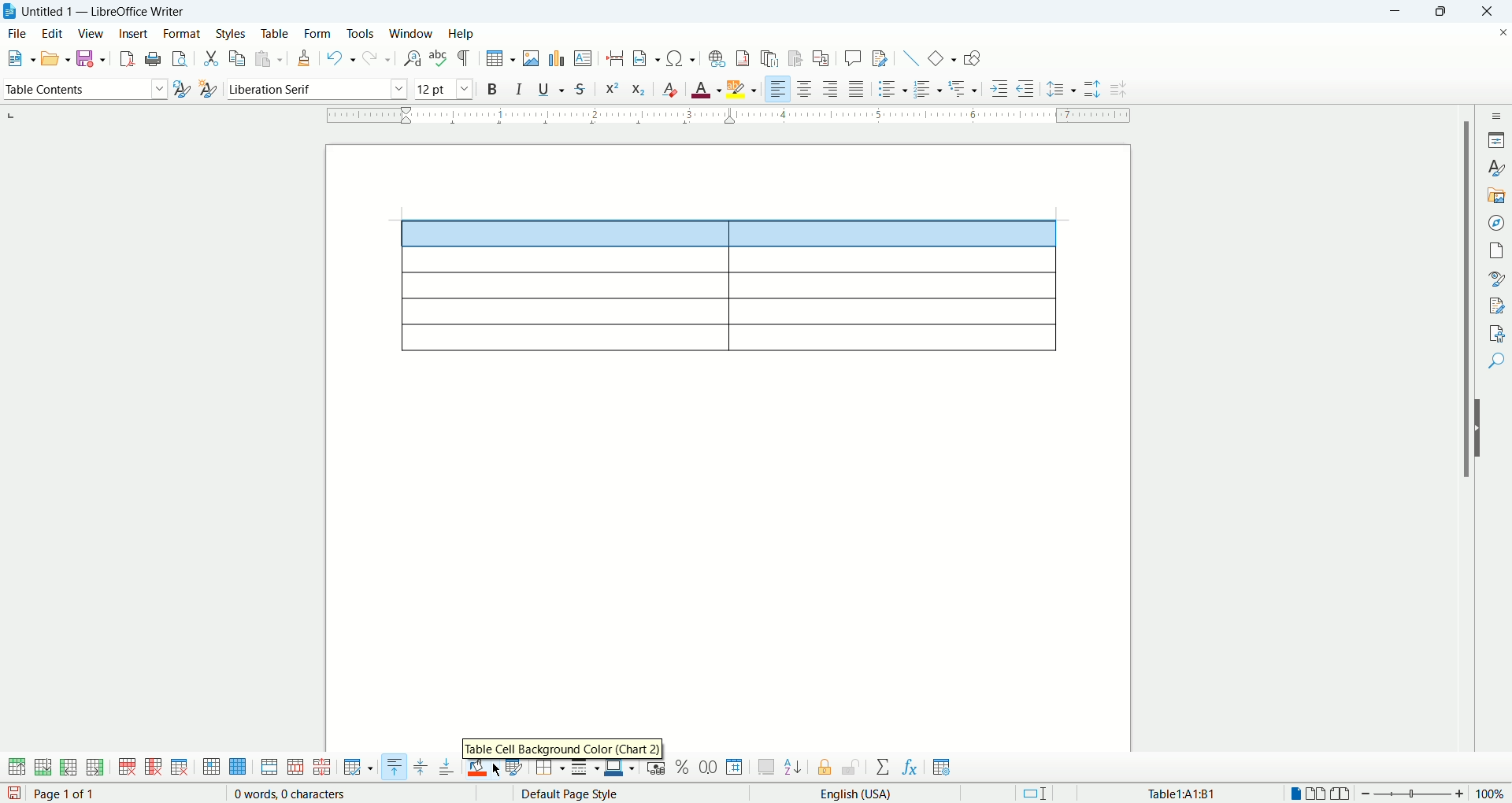 The image size is (1512, 803). I want to click on open, so click(55, 57).